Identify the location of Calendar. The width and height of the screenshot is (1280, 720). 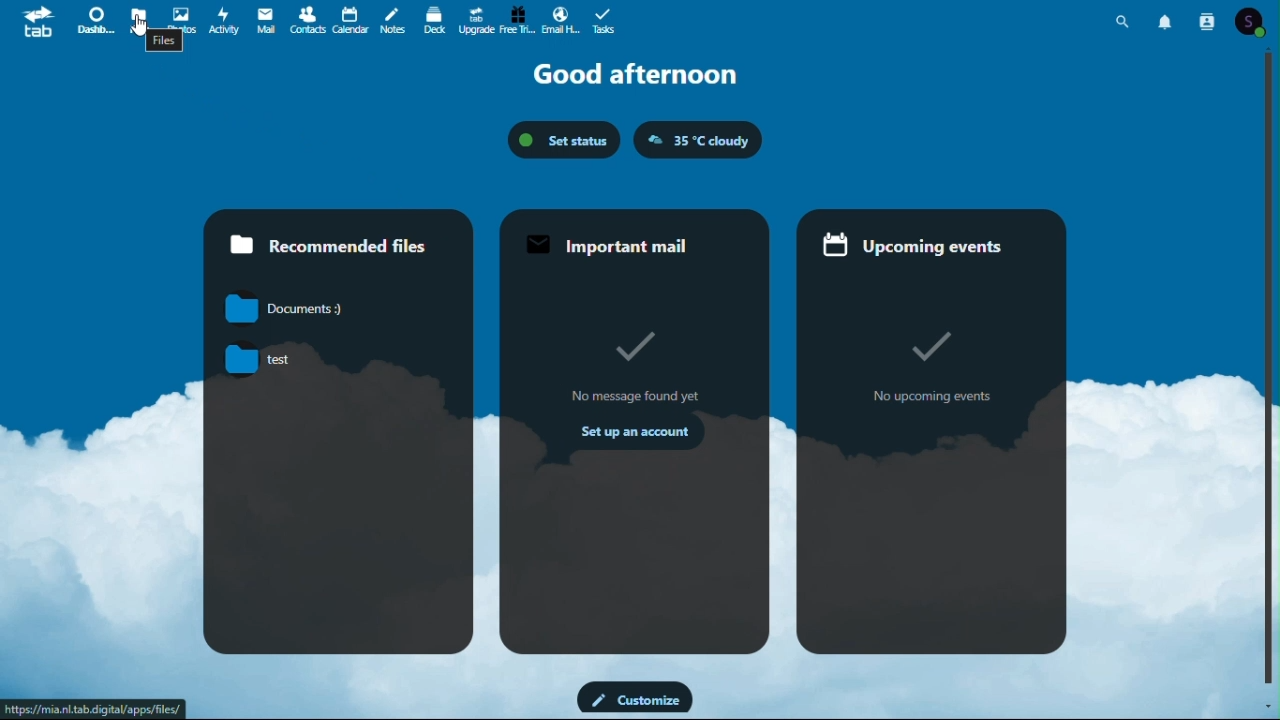
(351, 21).